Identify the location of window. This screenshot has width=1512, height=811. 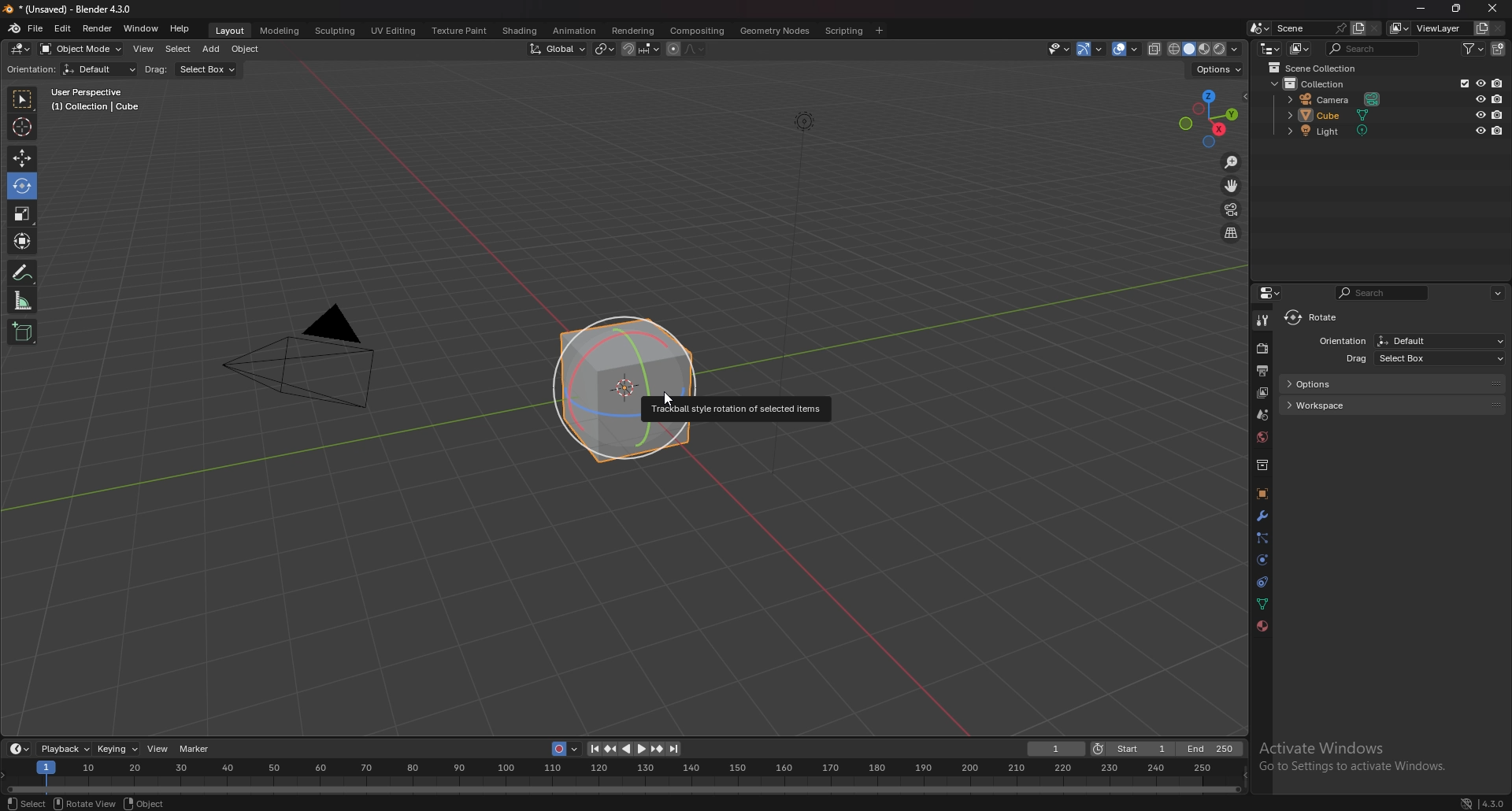
(140, 28).